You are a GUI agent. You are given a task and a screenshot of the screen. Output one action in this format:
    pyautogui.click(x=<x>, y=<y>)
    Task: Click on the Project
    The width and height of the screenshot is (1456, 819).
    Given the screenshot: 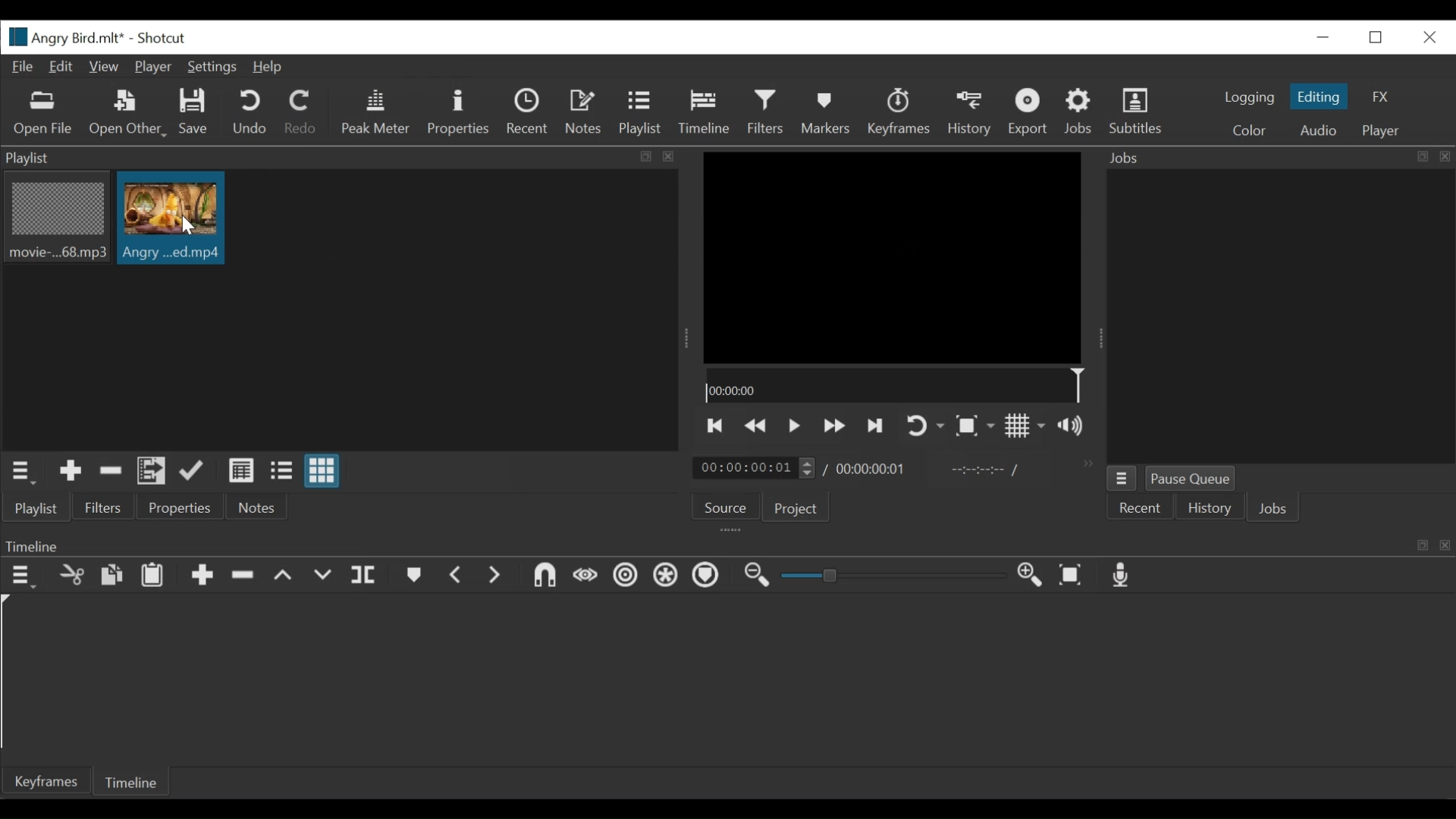 What is the action you would take?
    pyautogui.click(x=797, y=509)
    